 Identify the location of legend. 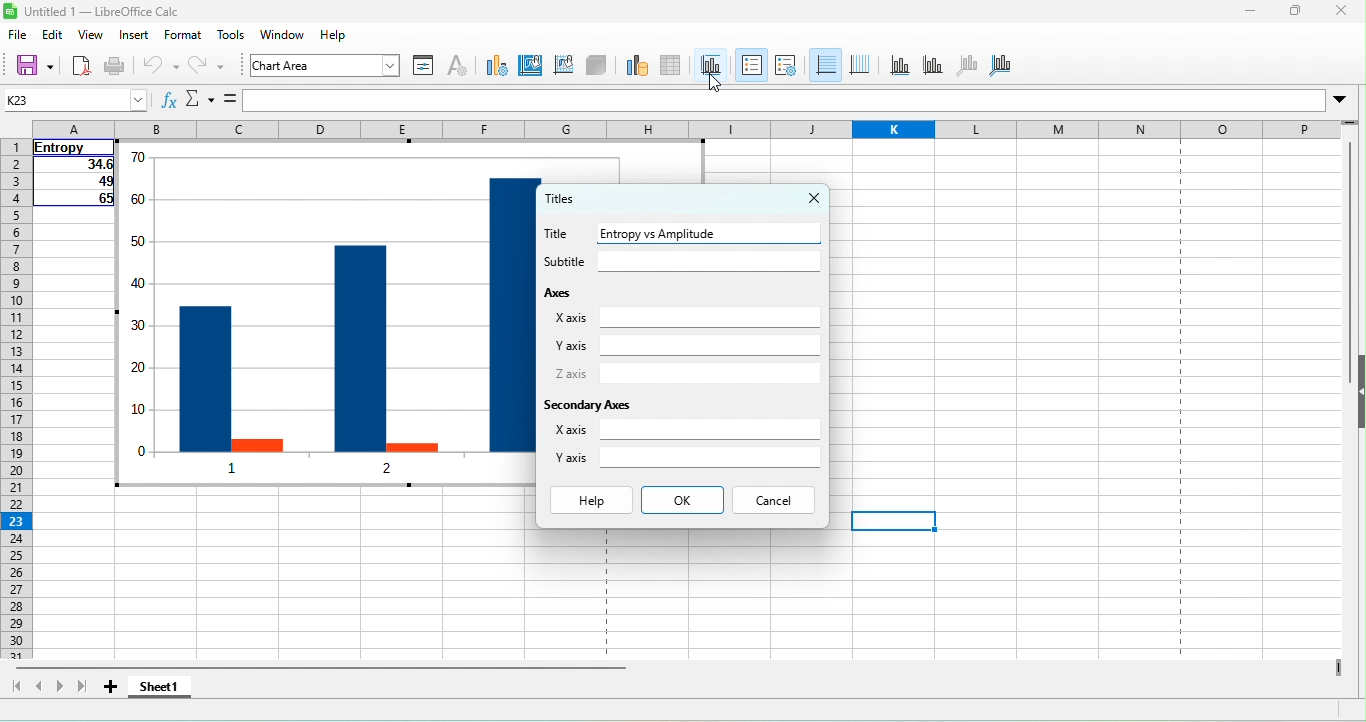
(787, 66).